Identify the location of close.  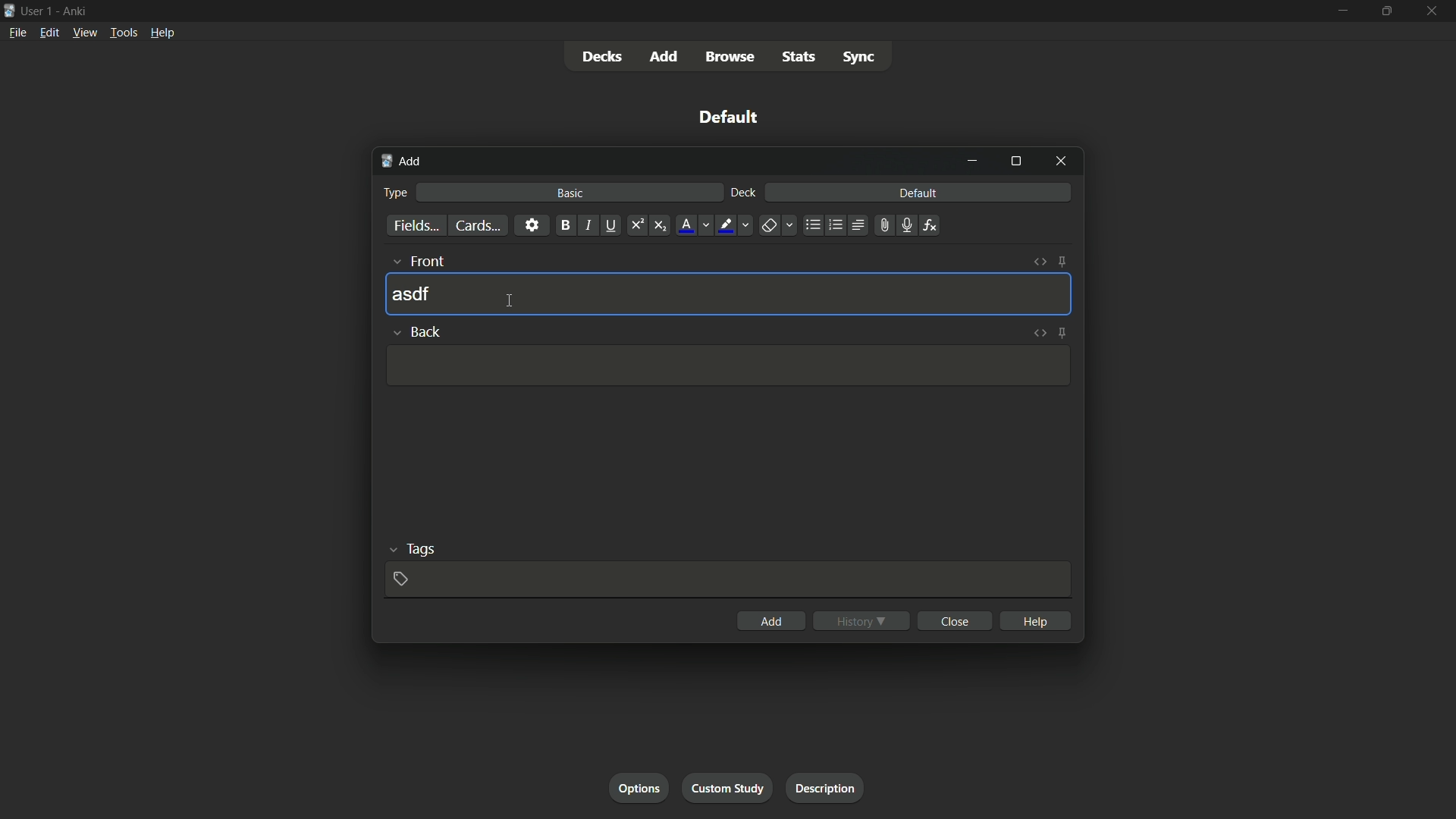
(1061, 162).